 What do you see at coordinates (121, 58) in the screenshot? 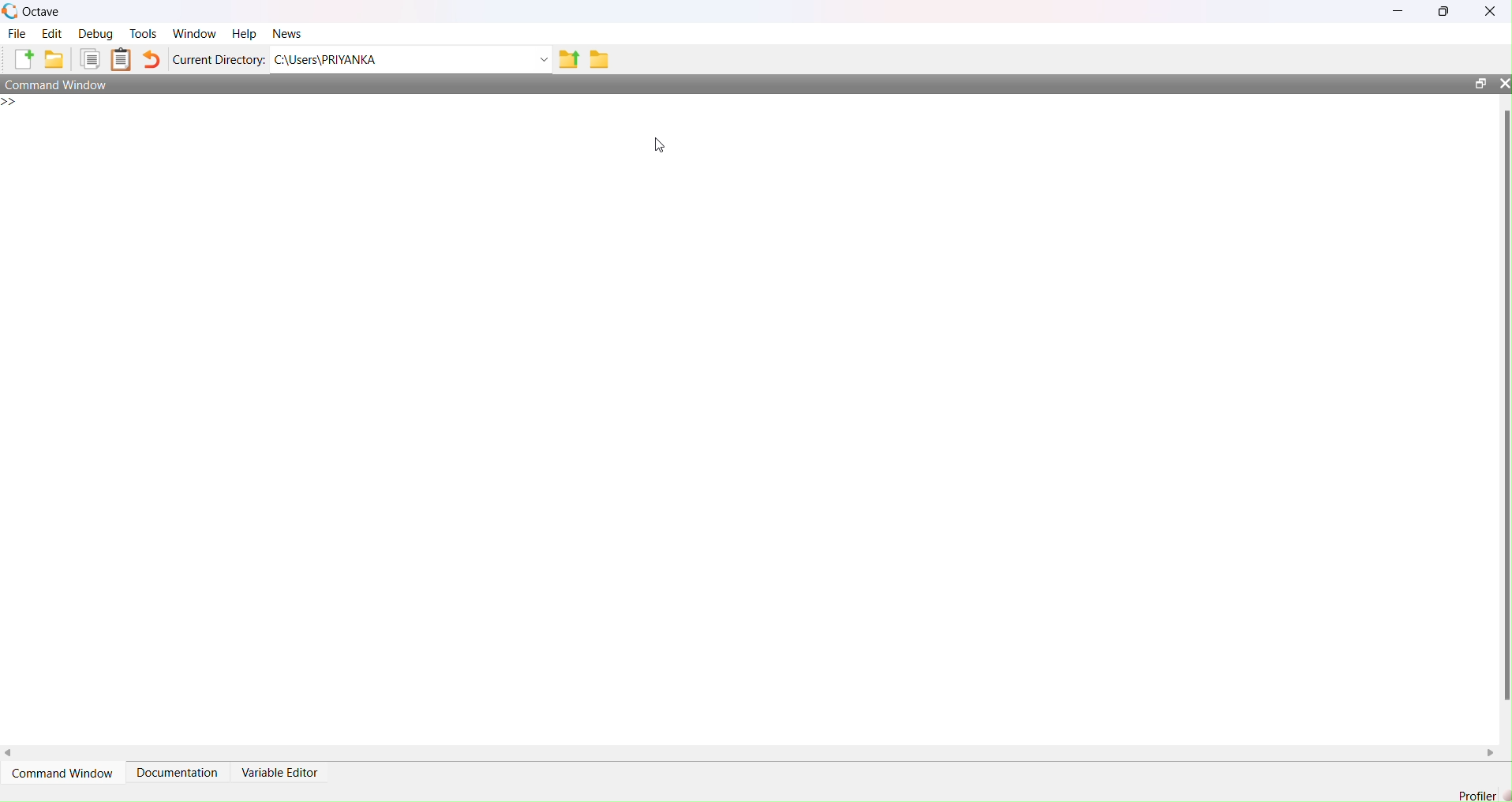
I see `notes` at bounding box center [121, 58].